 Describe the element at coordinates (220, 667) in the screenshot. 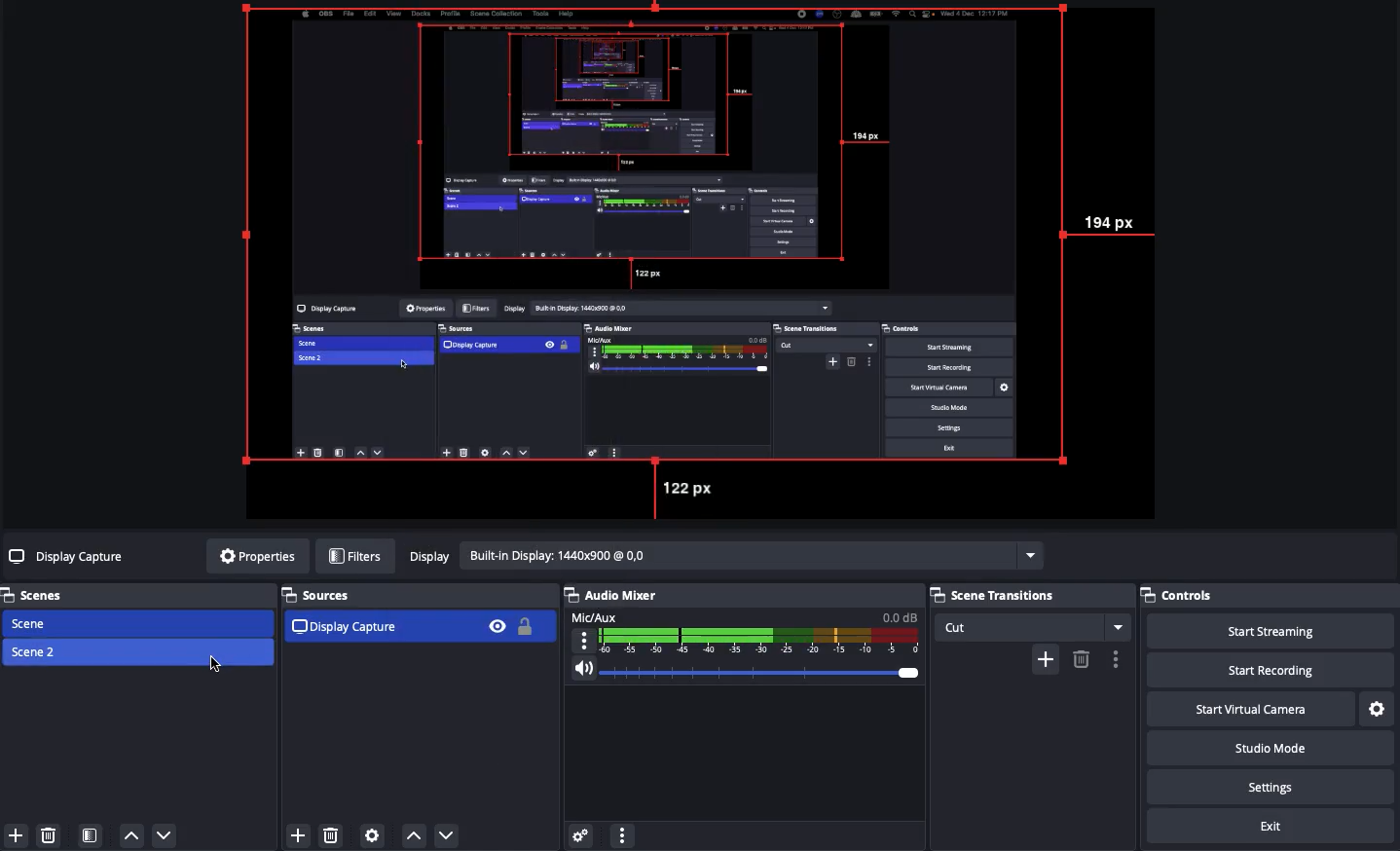

I see `Click` at that location.